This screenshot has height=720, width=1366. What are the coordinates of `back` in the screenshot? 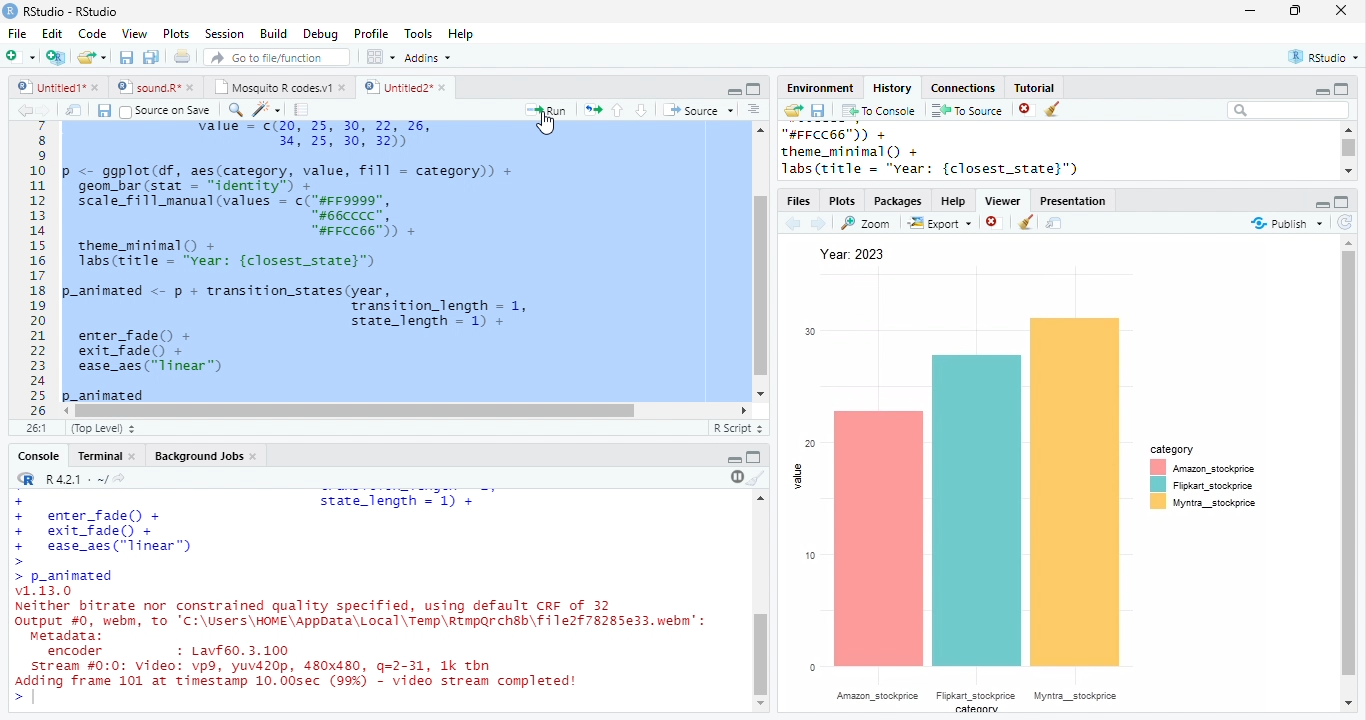 It's located at (23, 110).